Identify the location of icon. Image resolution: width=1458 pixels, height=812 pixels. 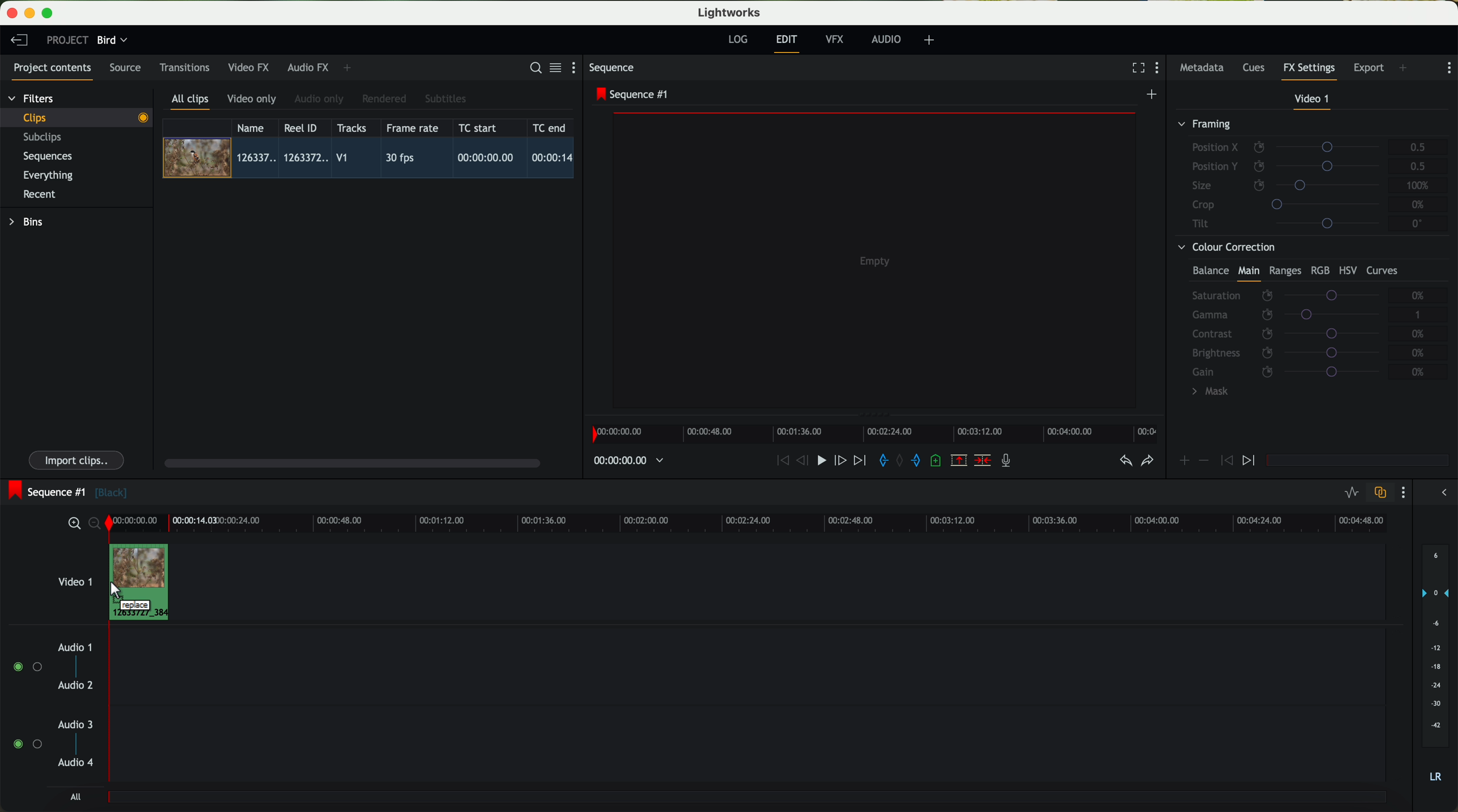
(1203, 461).